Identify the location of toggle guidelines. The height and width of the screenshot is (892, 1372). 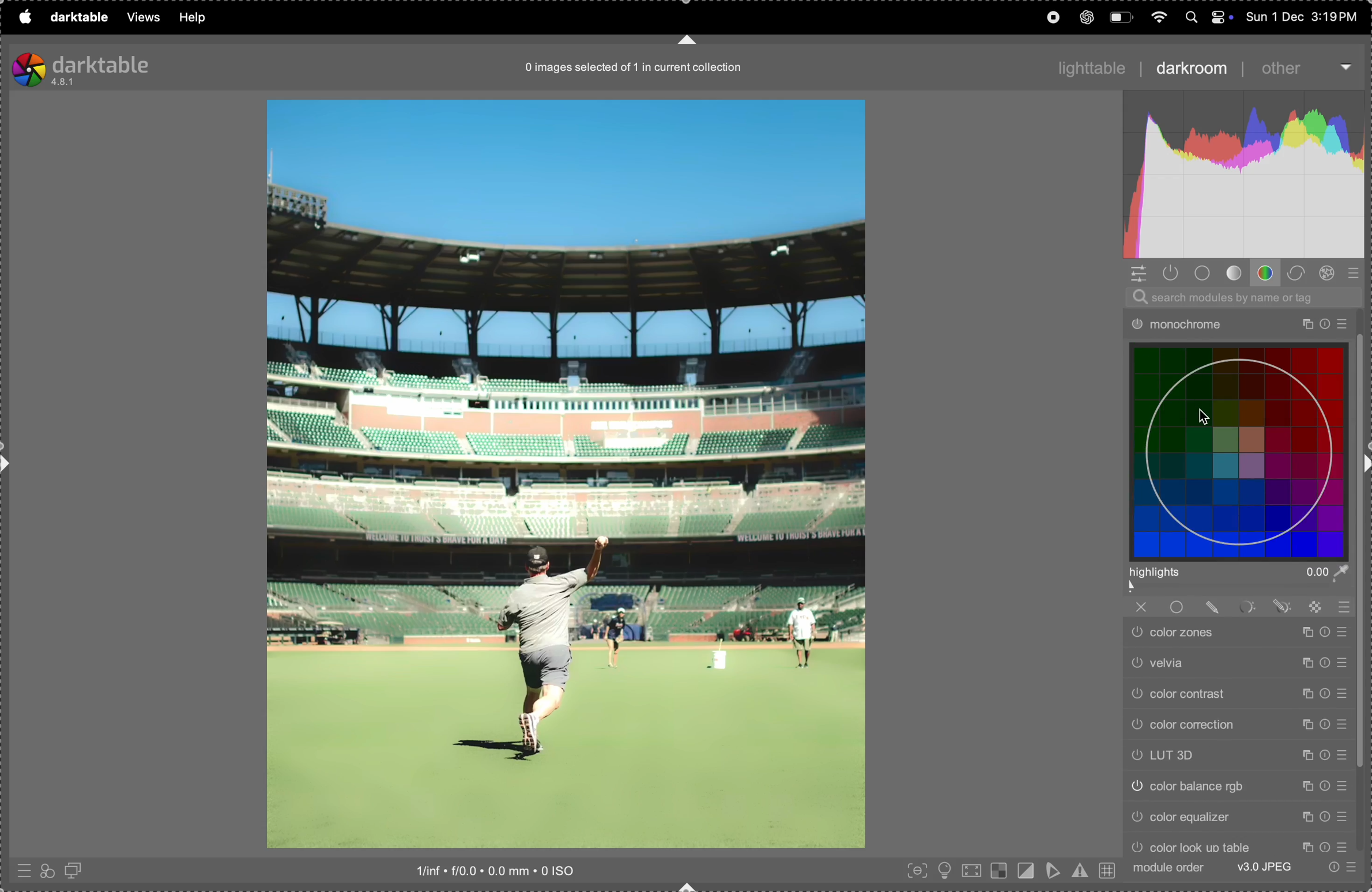
(1107, 871).